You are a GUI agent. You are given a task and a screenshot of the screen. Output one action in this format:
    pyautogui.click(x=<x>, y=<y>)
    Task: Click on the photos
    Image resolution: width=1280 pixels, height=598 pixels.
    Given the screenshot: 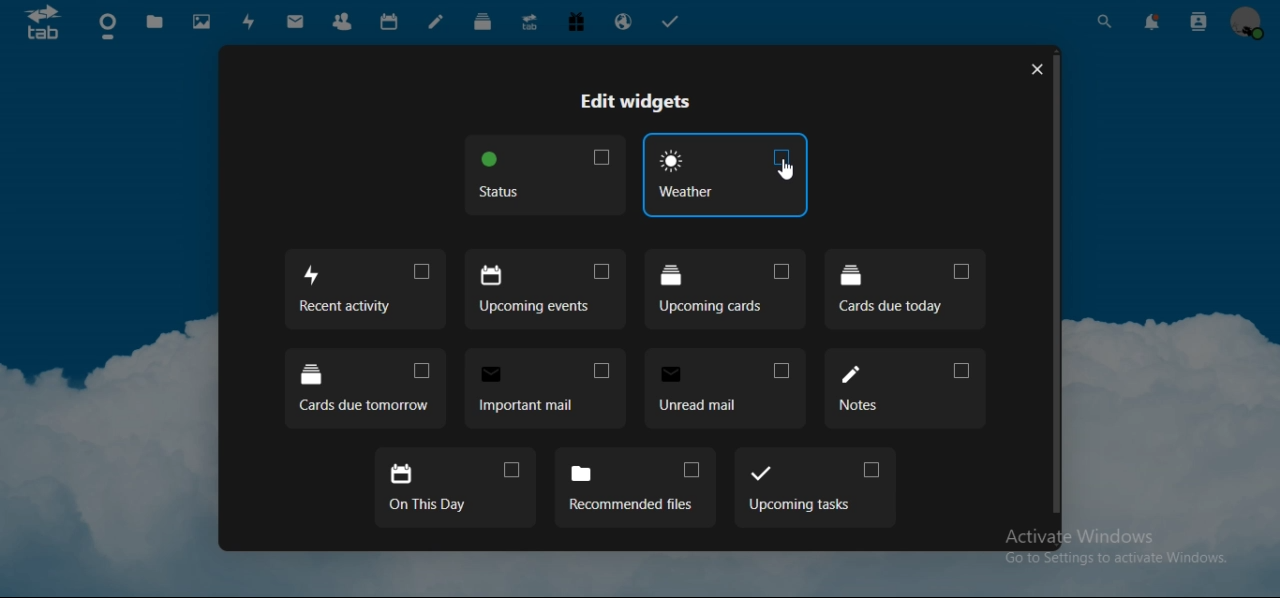 What is the action you would take?
    pyautogui.click(x=202, y=23)
    